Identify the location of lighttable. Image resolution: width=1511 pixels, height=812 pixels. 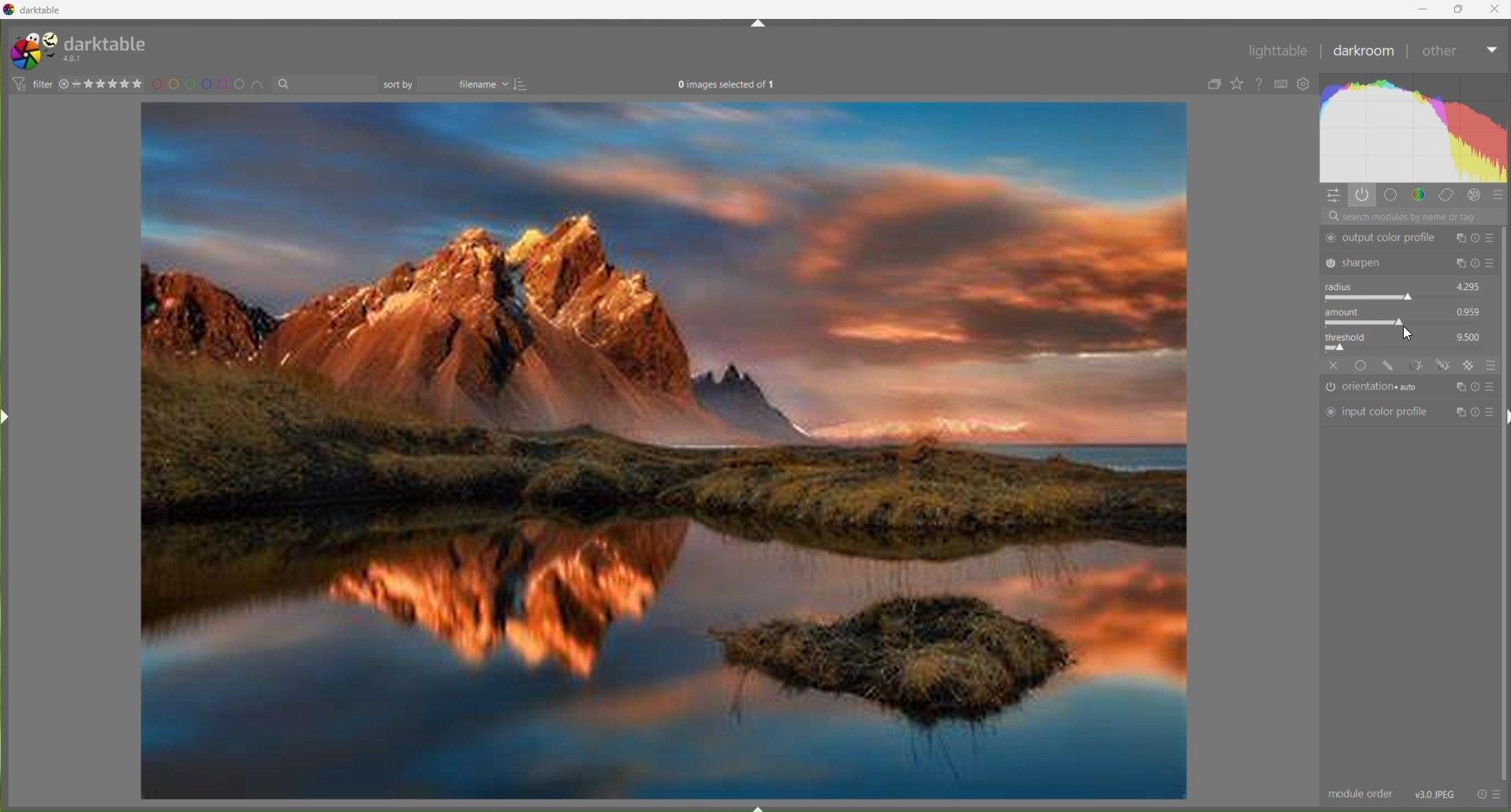
(1277, 54).